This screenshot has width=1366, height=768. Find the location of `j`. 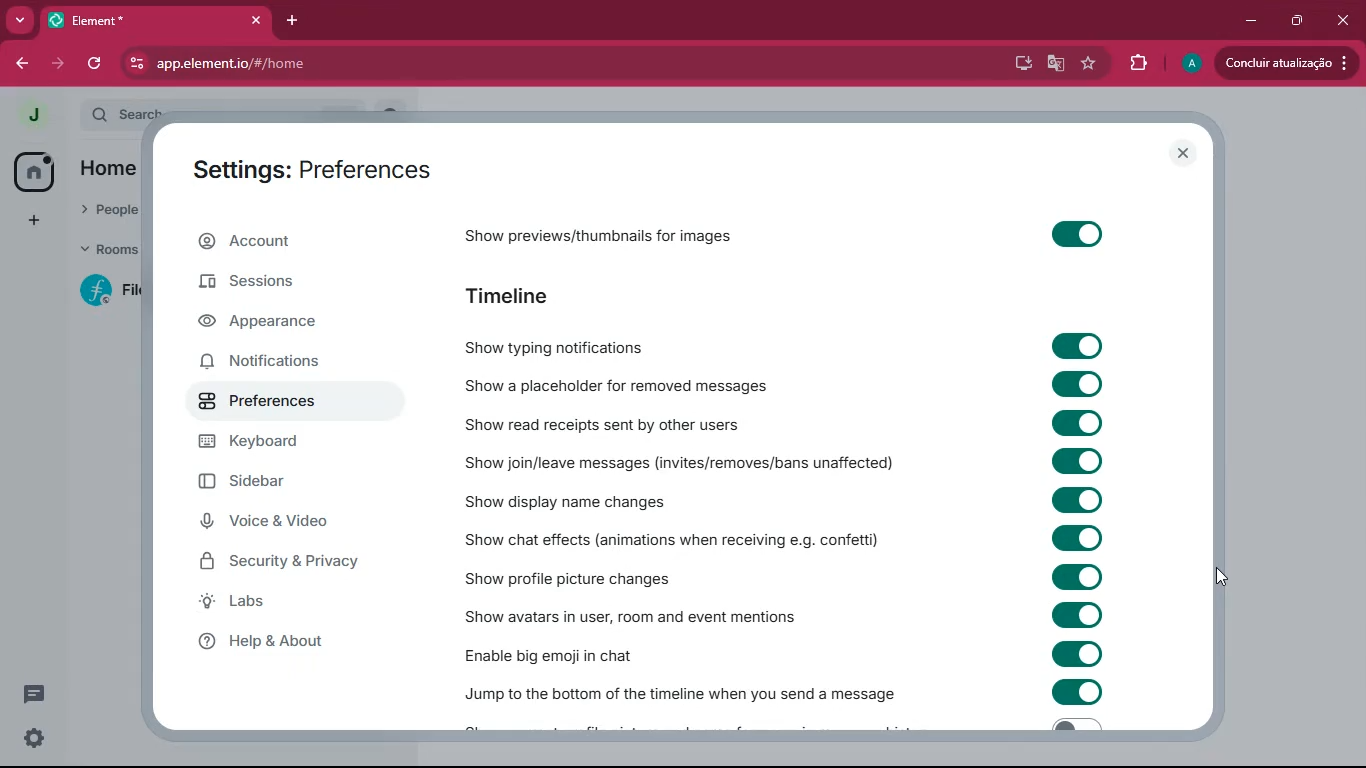

j is located at coordinates (30, 117).